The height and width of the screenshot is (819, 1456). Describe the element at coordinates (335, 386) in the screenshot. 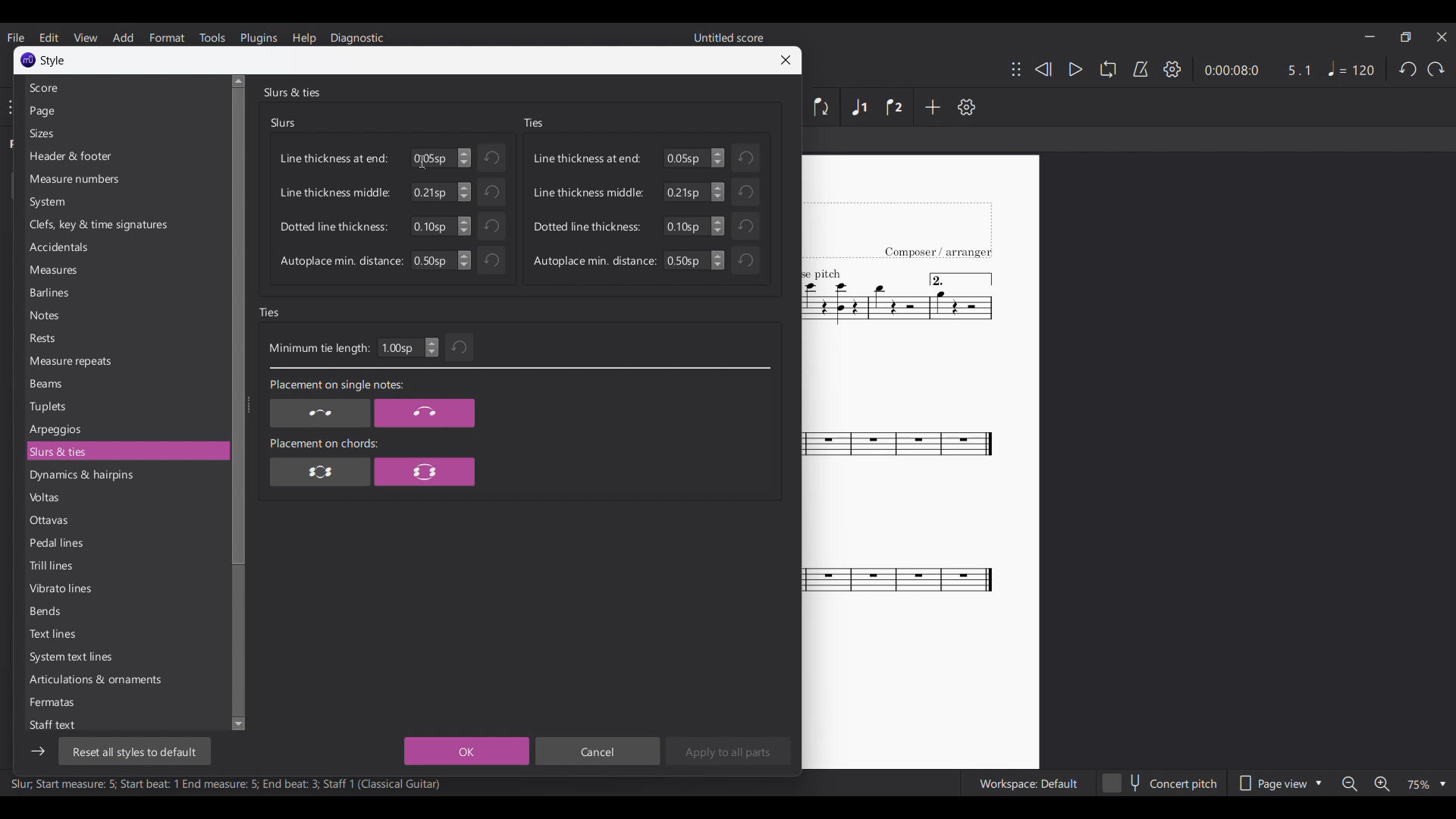

I see `Placement on single notes` at that location.